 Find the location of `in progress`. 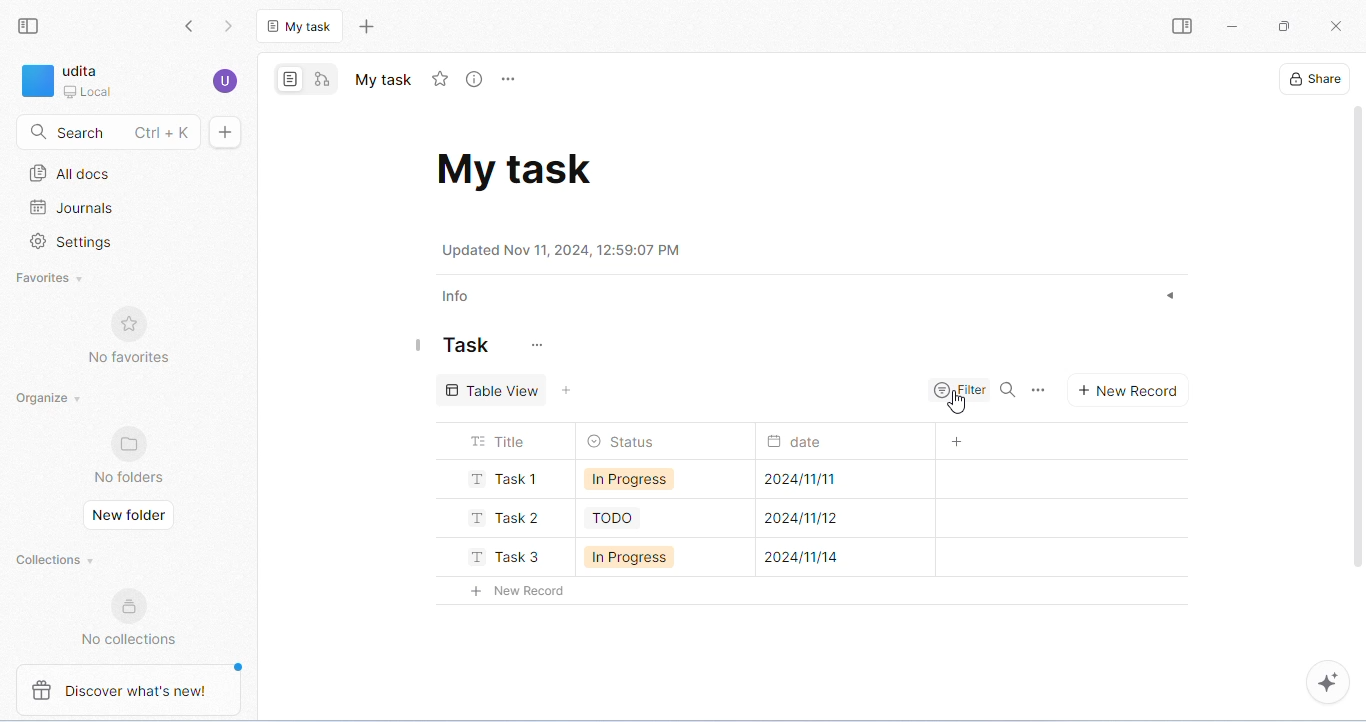

in progress is located at coordinates (627, 559).